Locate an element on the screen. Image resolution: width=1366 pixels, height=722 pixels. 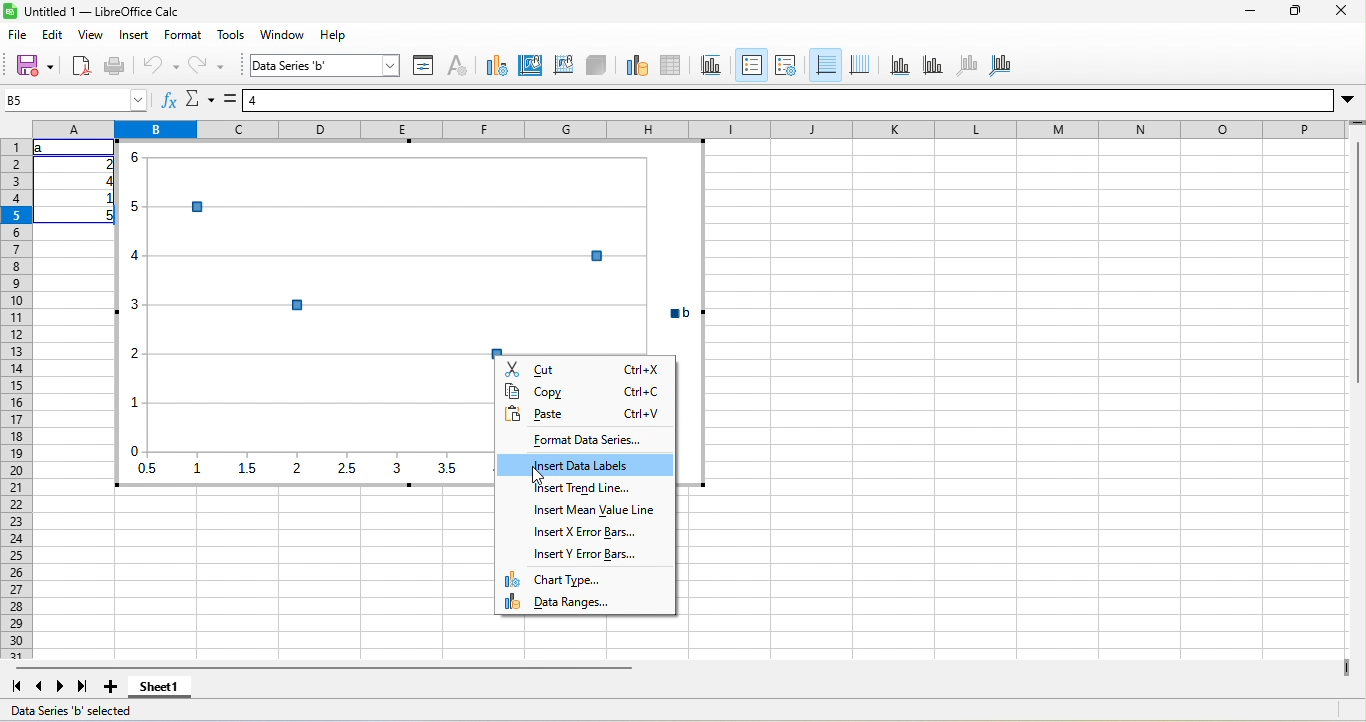
XY (Scatter) chart is located at coordinates (410, 248).